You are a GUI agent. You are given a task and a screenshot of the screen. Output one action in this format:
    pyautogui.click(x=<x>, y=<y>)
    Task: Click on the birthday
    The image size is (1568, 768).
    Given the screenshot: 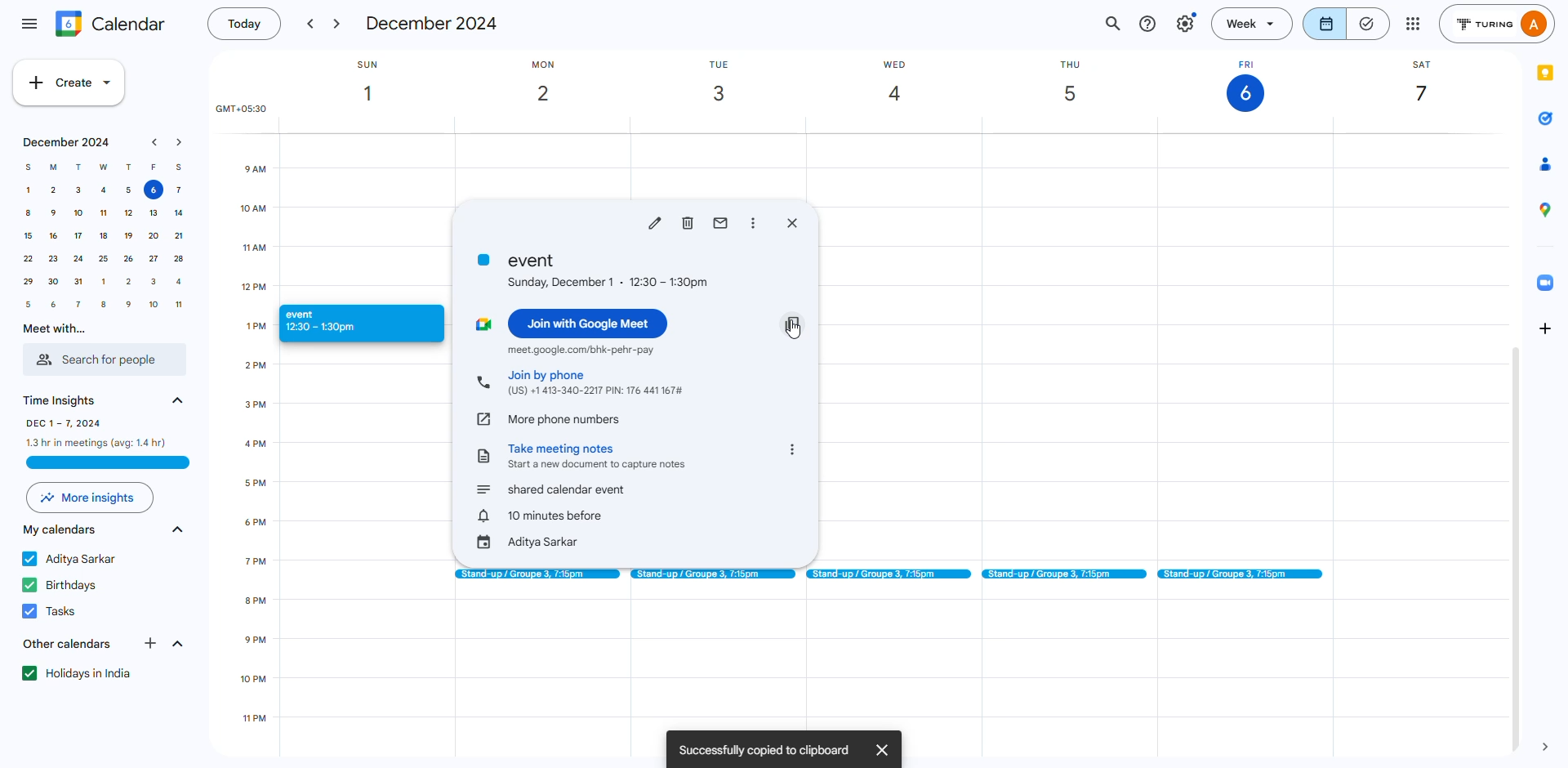 What is the action you would take?
    pyautogui.click(x=65, y=585)
    